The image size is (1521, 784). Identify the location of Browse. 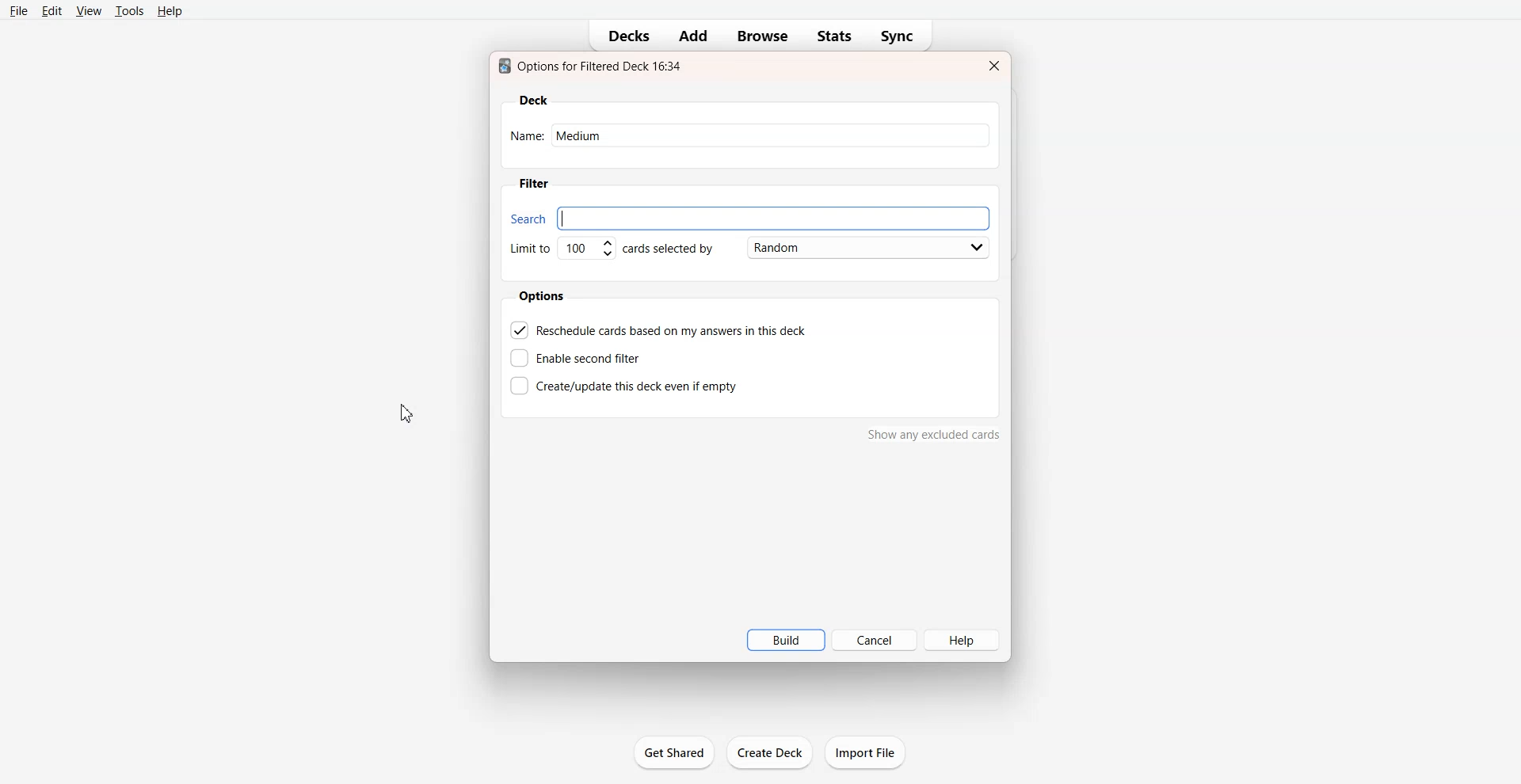
(764, 36).